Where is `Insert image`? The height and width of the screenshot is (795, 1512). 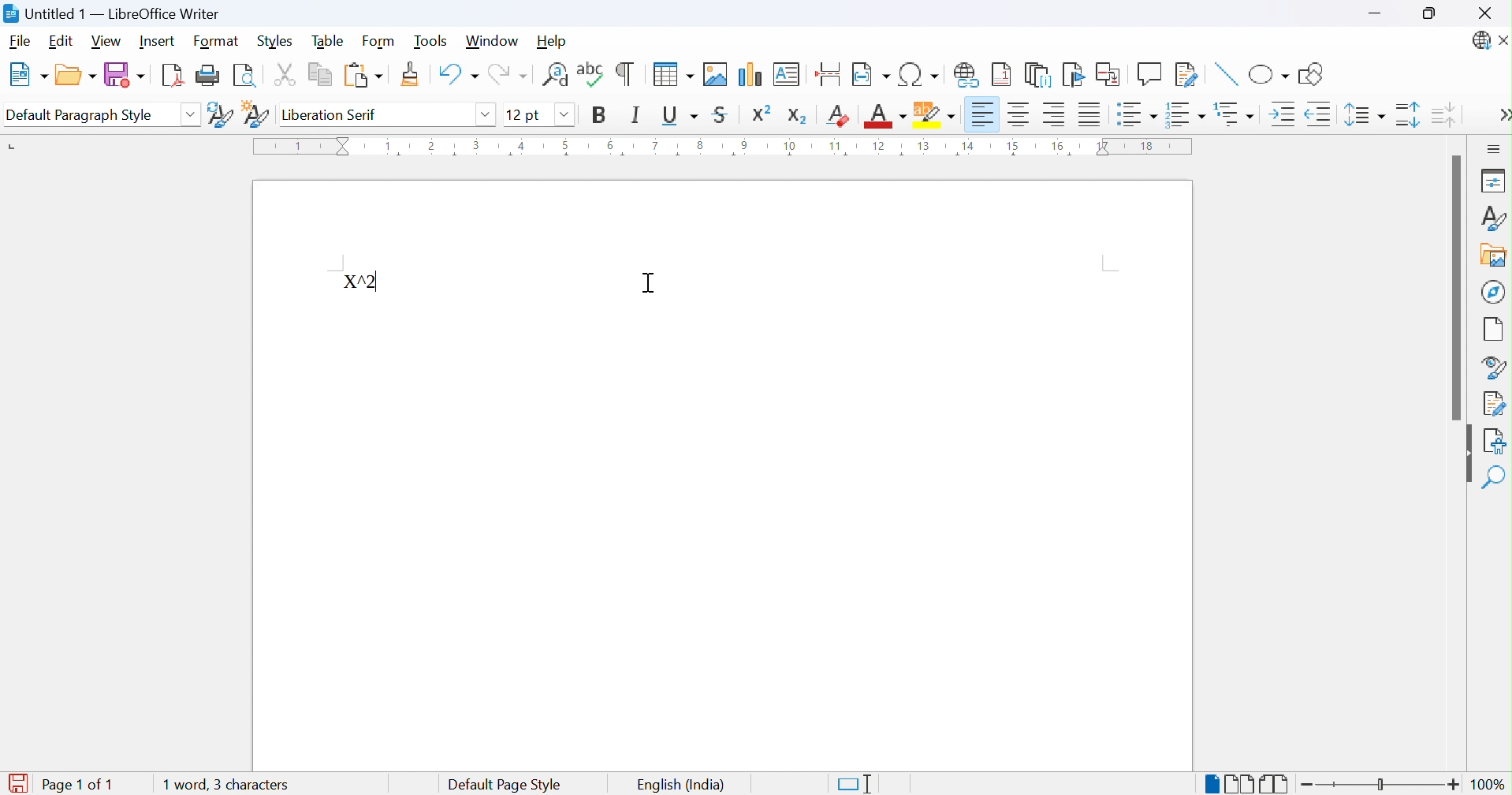
Insert image is located at coordinates (717, 73).